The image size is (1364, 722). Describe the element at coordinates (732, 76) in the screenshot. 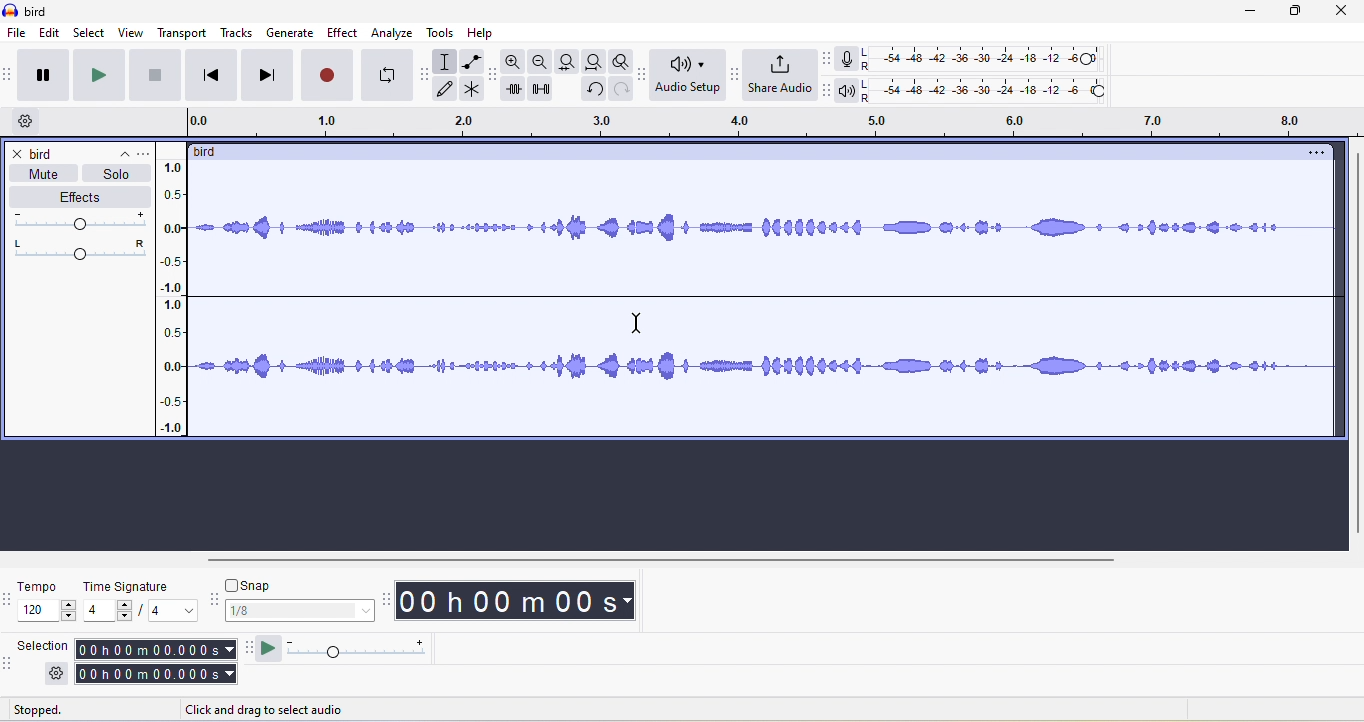

I see `audacity share audio toolbar` at that location.